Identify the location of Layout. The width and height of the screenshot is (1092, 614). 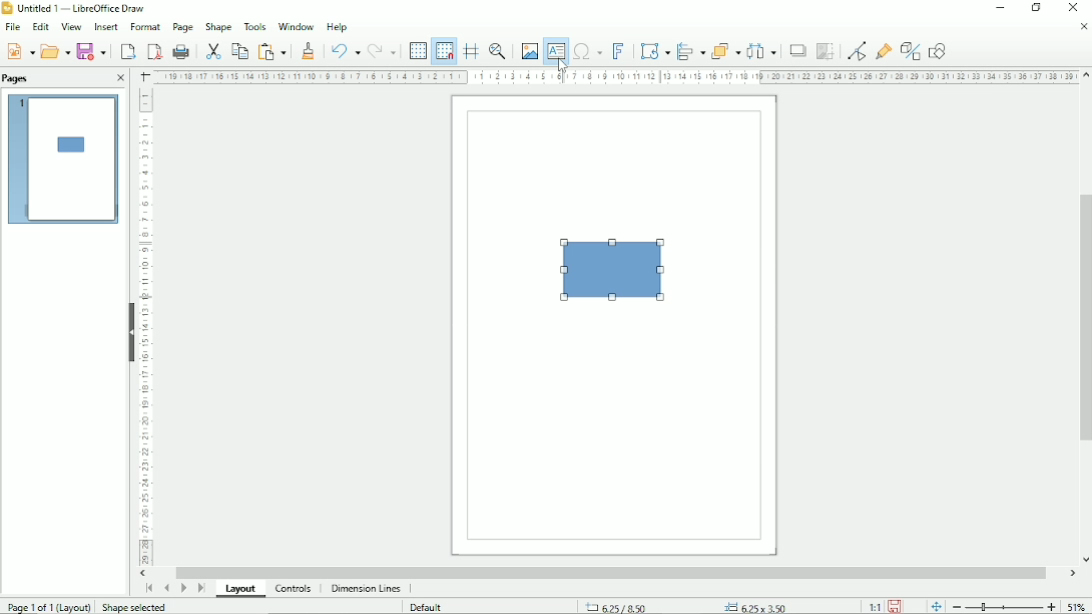
(241, 589).